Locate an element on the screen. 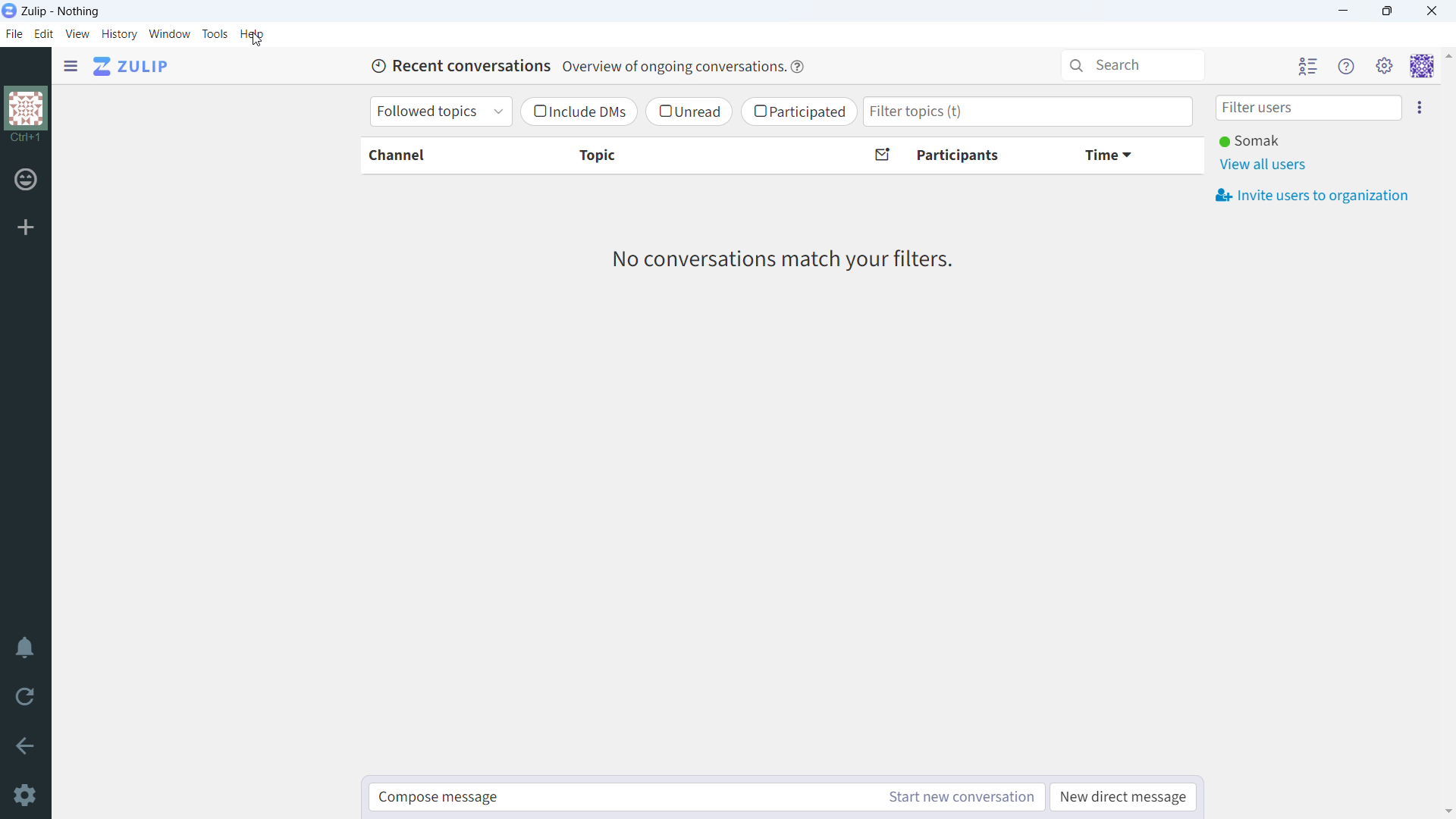 The width and height of the screenshot is (1456, 819). sort by time is located at coordinates (1128, 155).